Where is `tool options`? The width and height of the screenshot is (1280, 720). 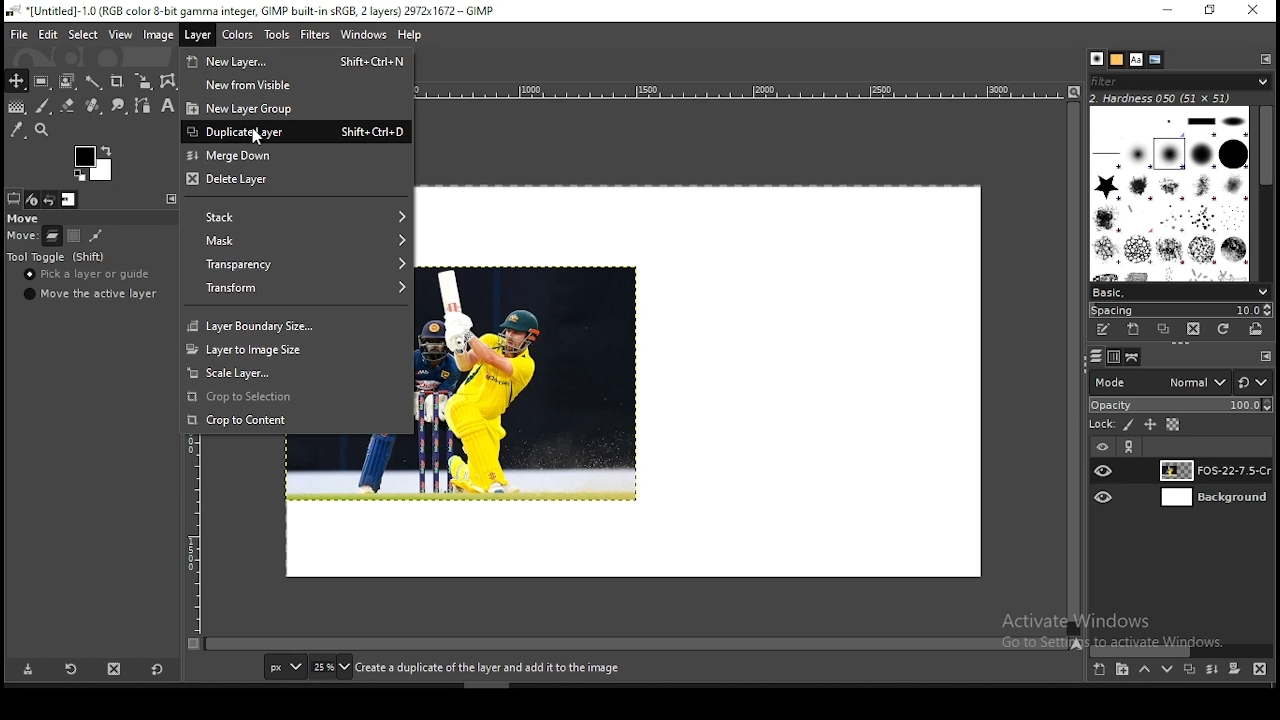 tool options is located at coordinates (14, 198).